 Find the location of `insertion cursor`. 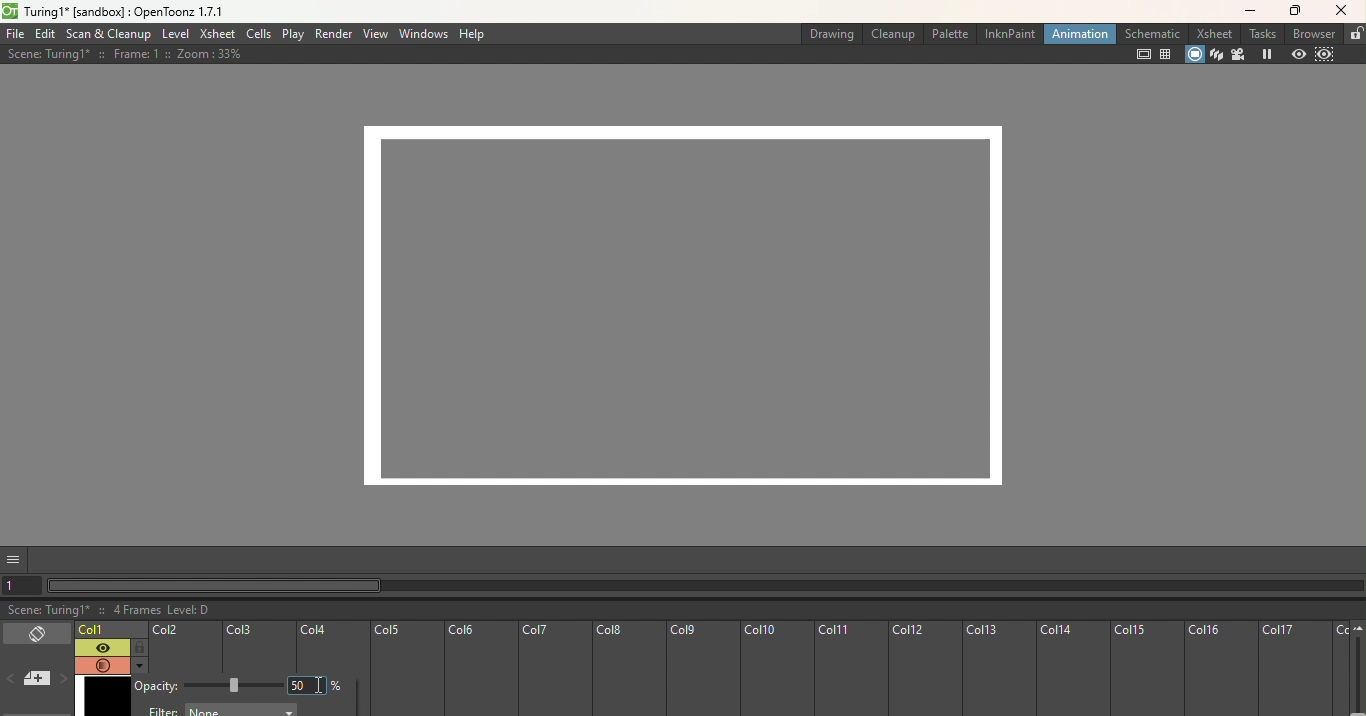

insertion cursor is located at coordinates (321, 687).